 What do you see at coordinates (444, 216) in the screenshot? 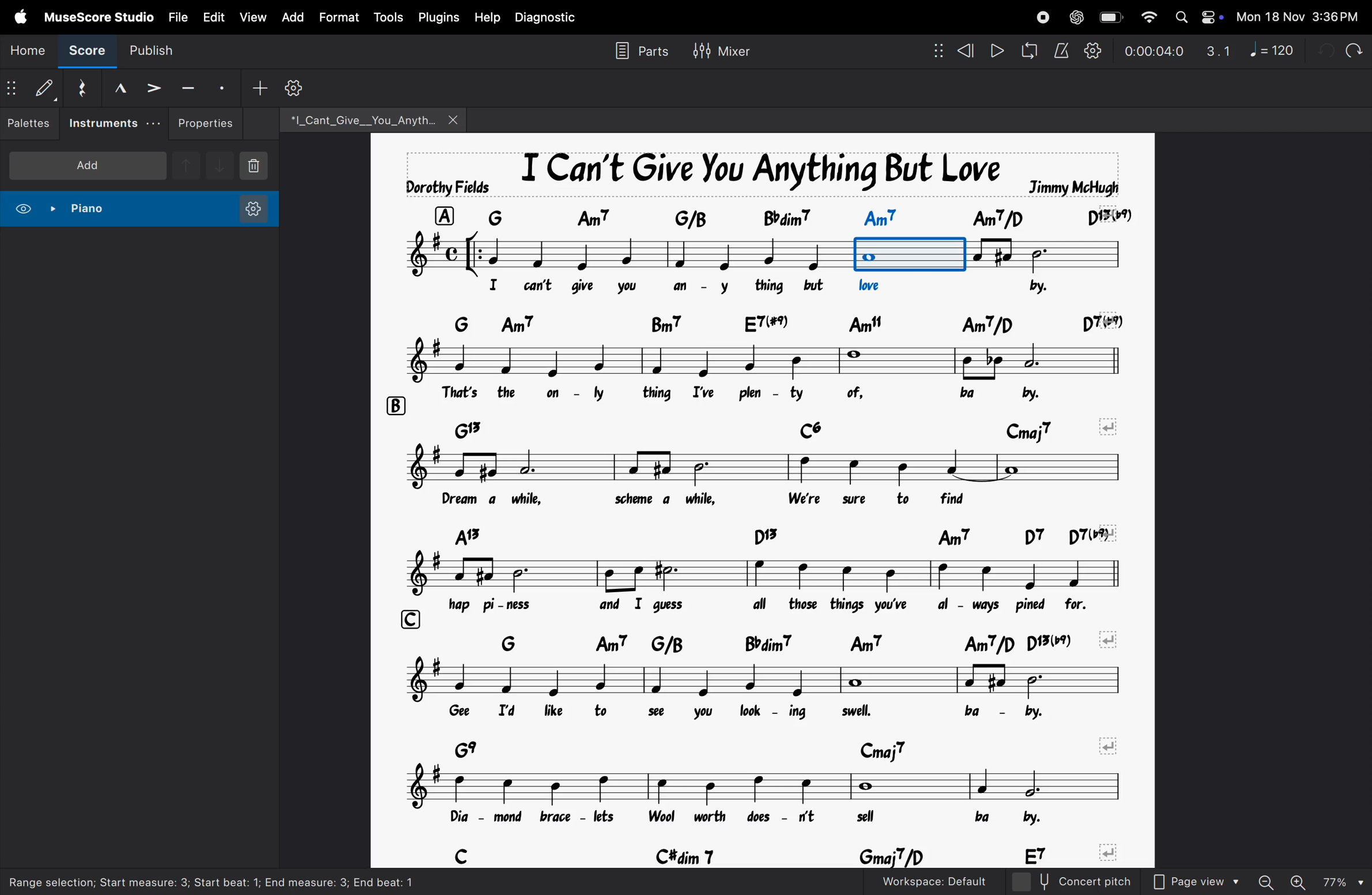
I see `row` at bounding box center [444, 216].